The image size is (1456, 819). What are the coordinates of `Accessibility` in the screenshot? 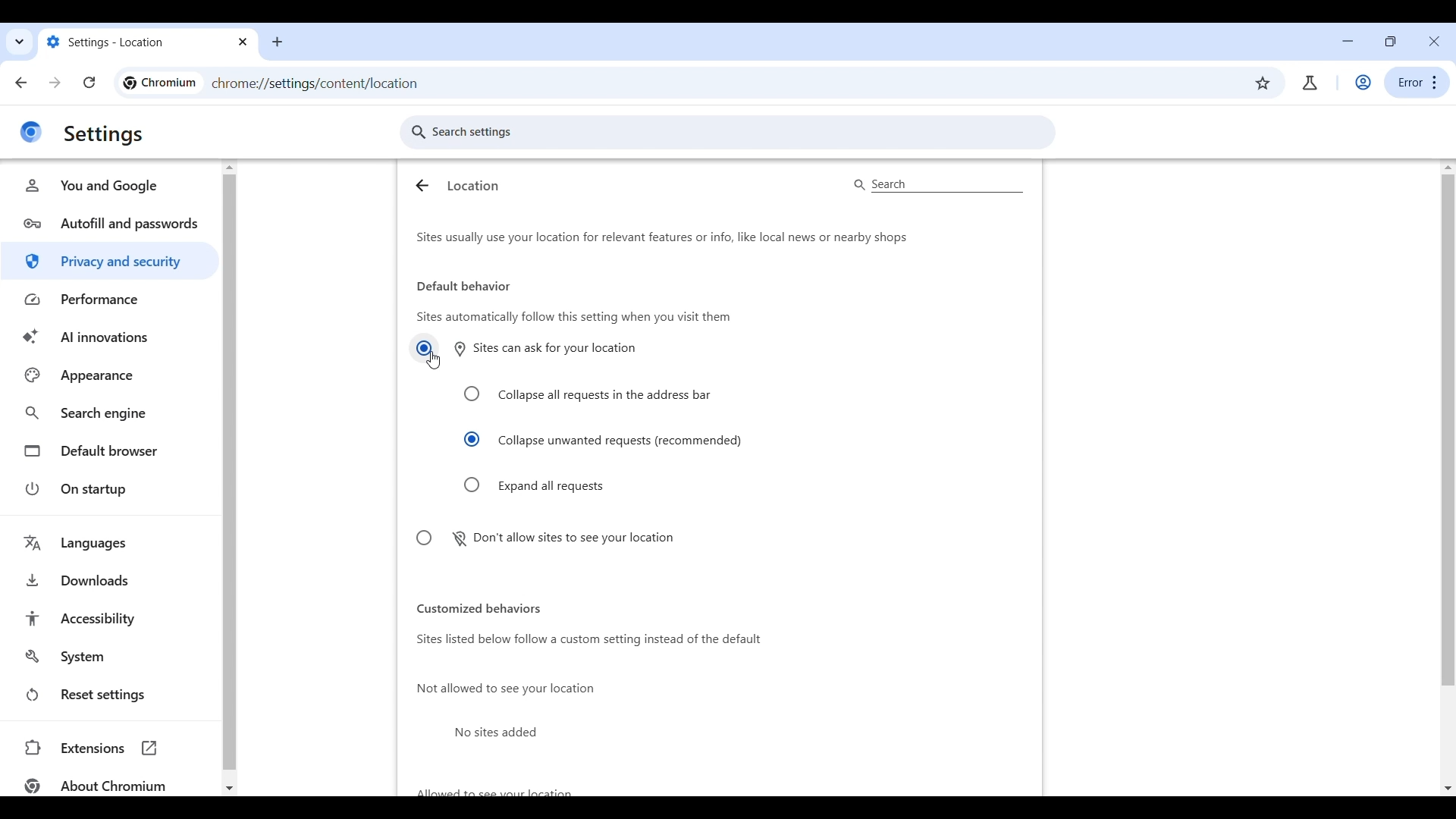 It's located at (108, 618).